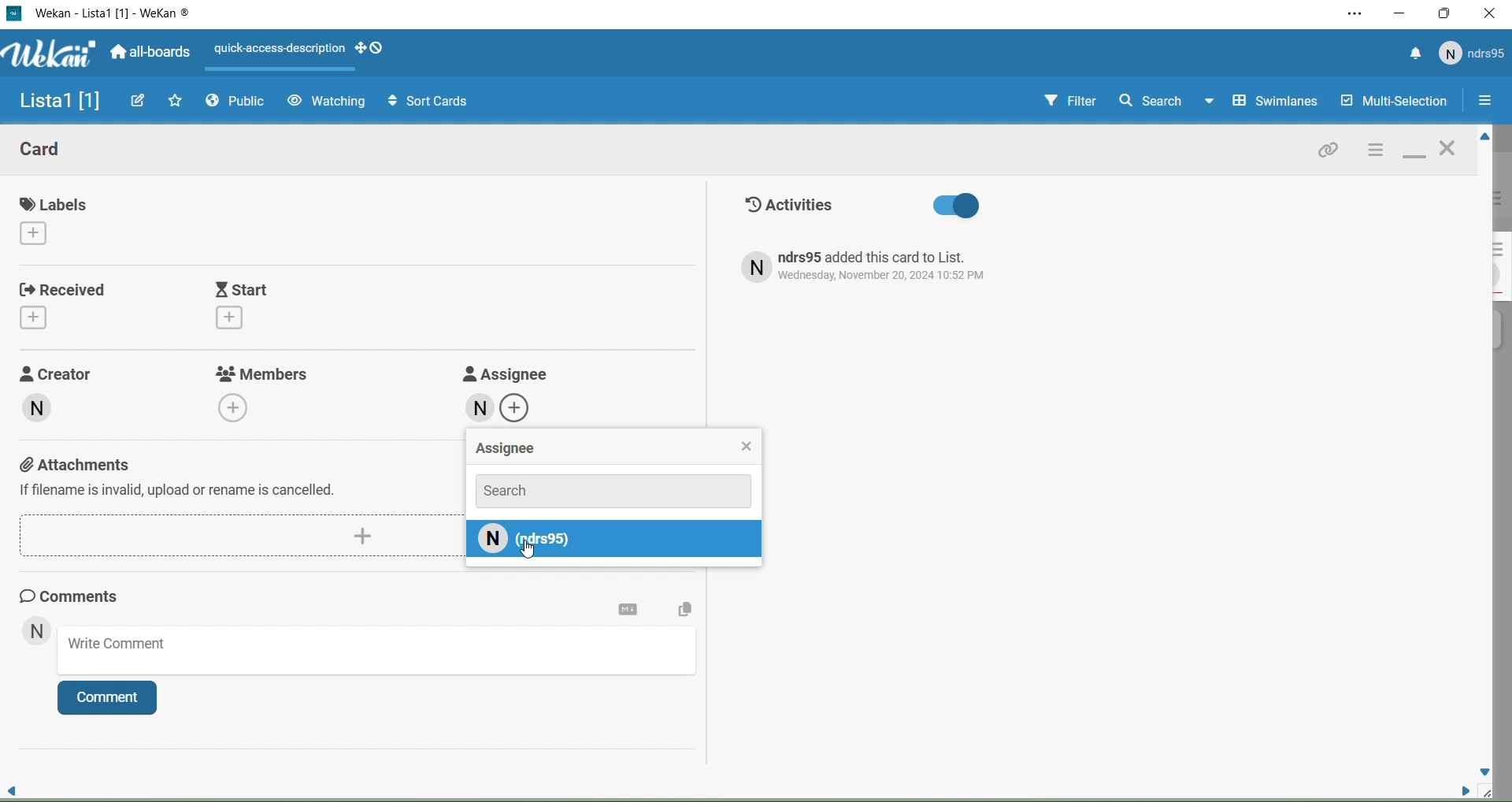 The image size is (1512, 802). I want to click on move right, so click(1458, 789).